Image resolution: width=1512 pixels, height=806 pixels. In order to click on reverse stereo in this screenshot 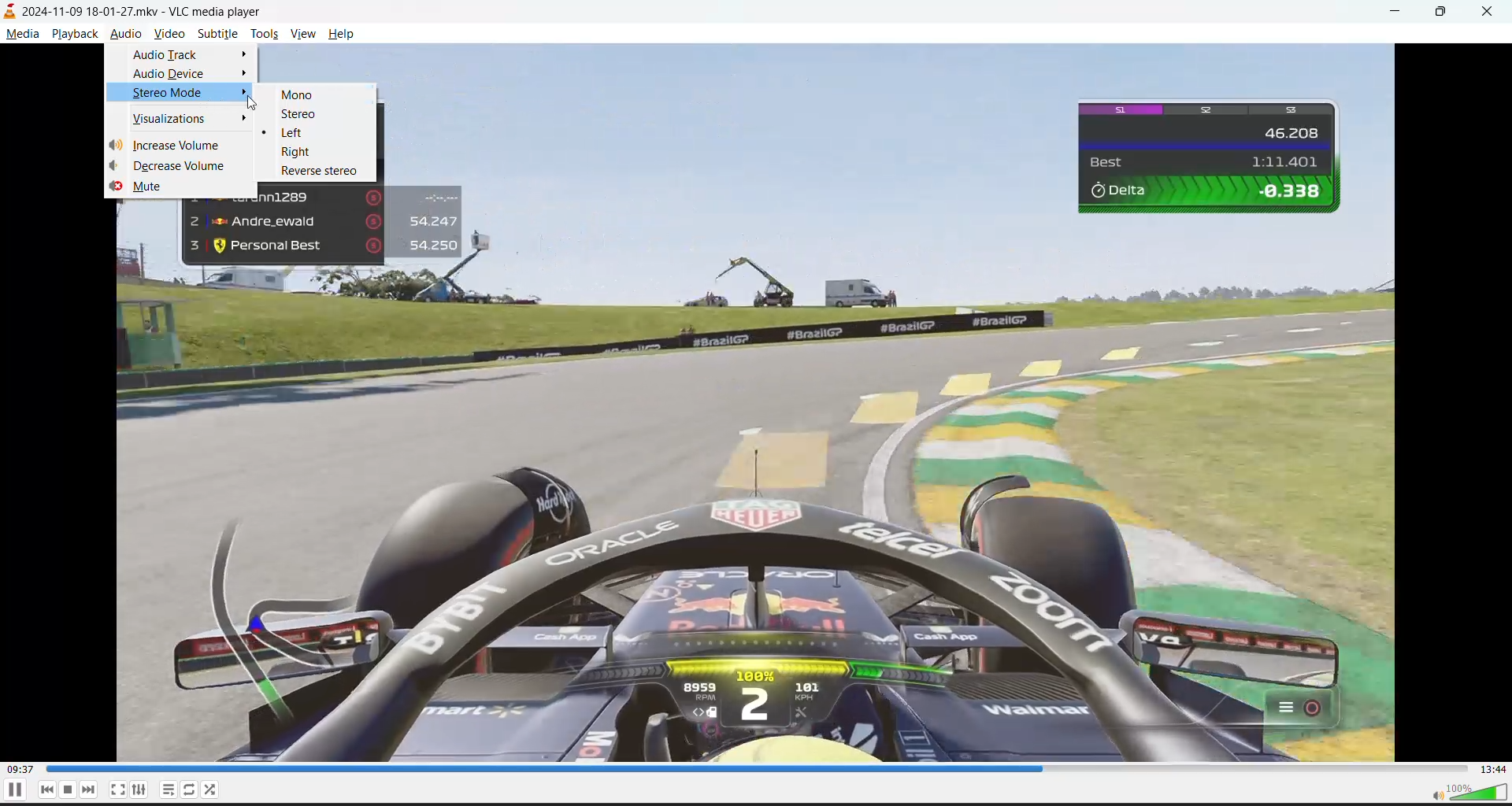, I will do `click(321, 173)`.